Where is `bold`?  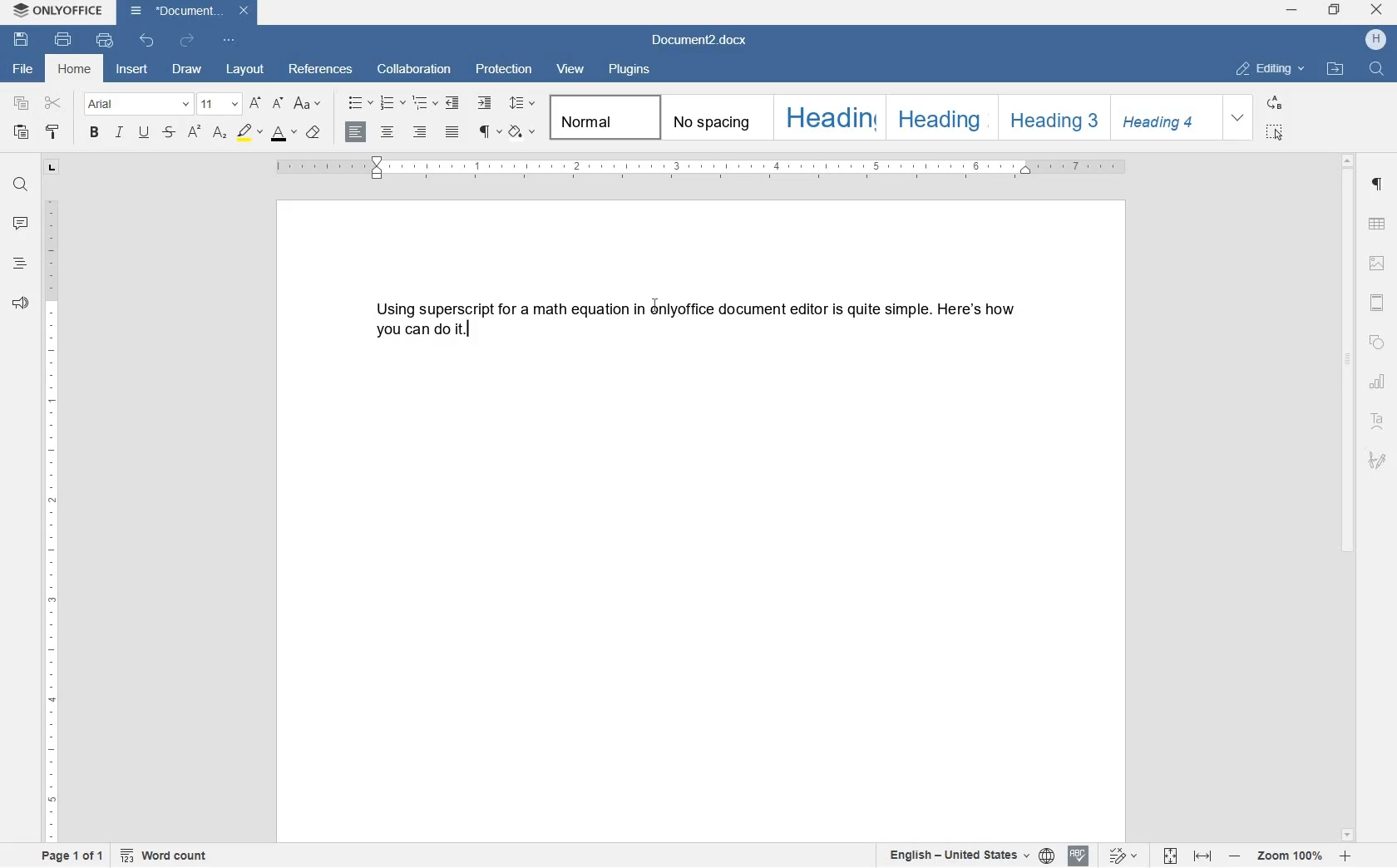 bold is located at coordinates (93, 133).